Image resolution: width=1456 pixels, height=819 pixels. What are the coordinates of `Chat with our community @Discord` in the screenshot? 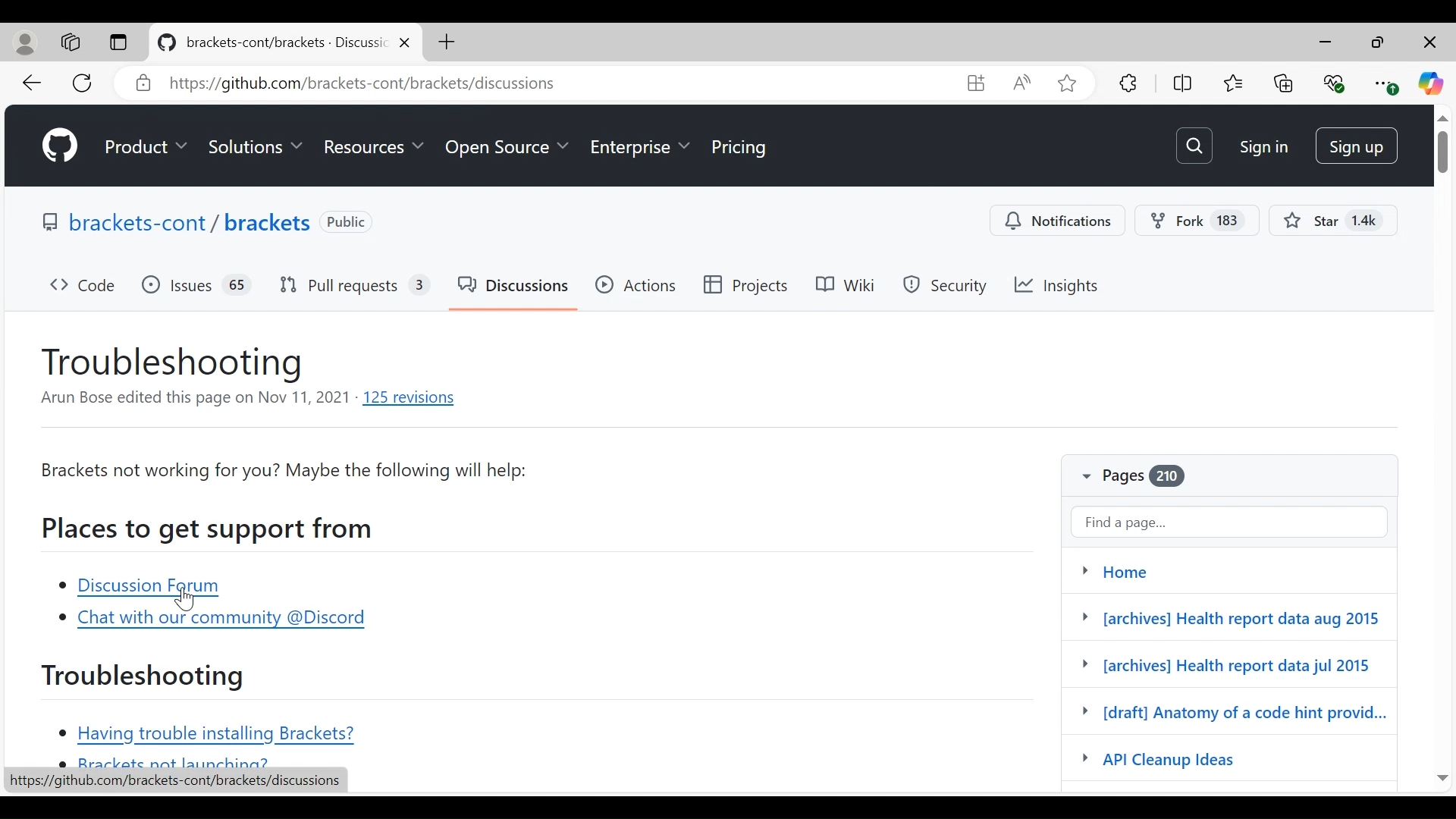 It's located at (211, 620).